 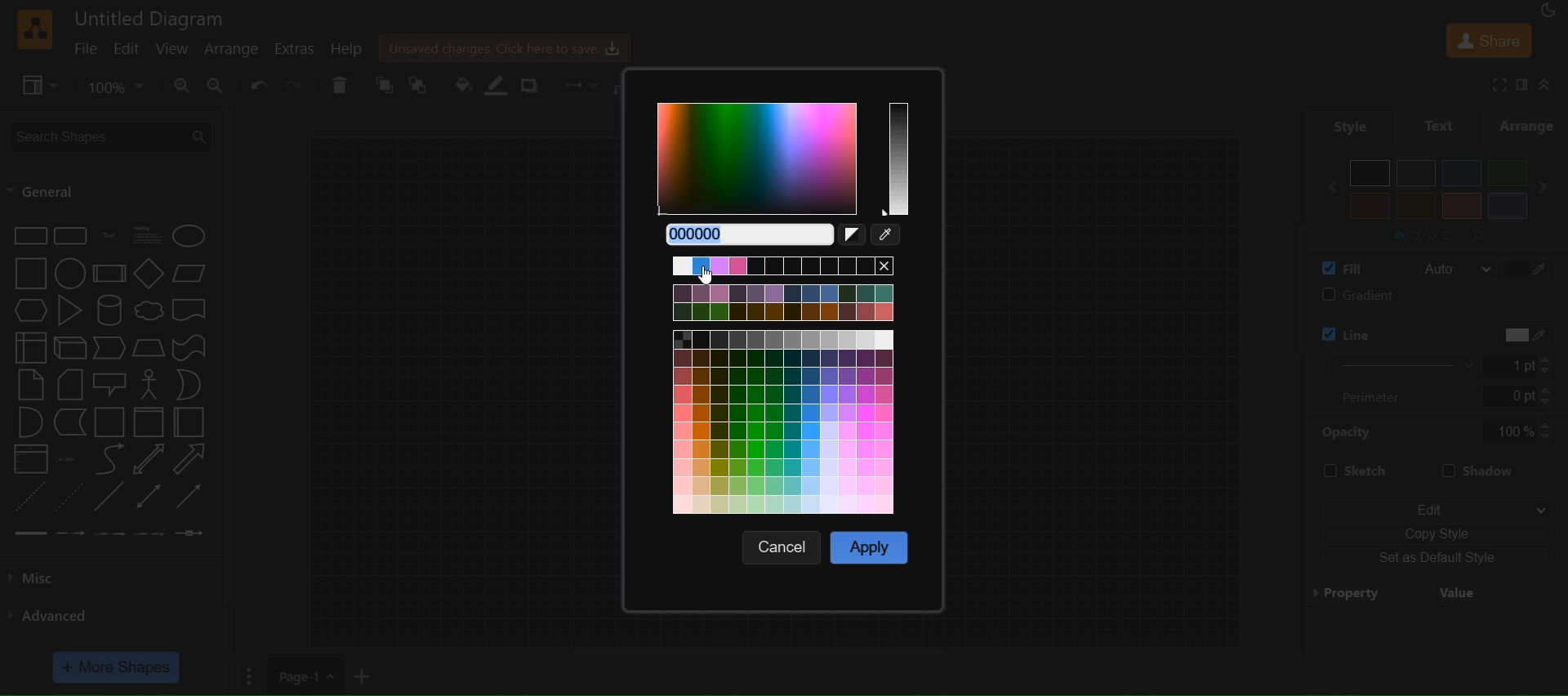 What do you see at coordinates (108, 532) in the screenshot?
I see `connector 3` at bounding box center [108, 532].